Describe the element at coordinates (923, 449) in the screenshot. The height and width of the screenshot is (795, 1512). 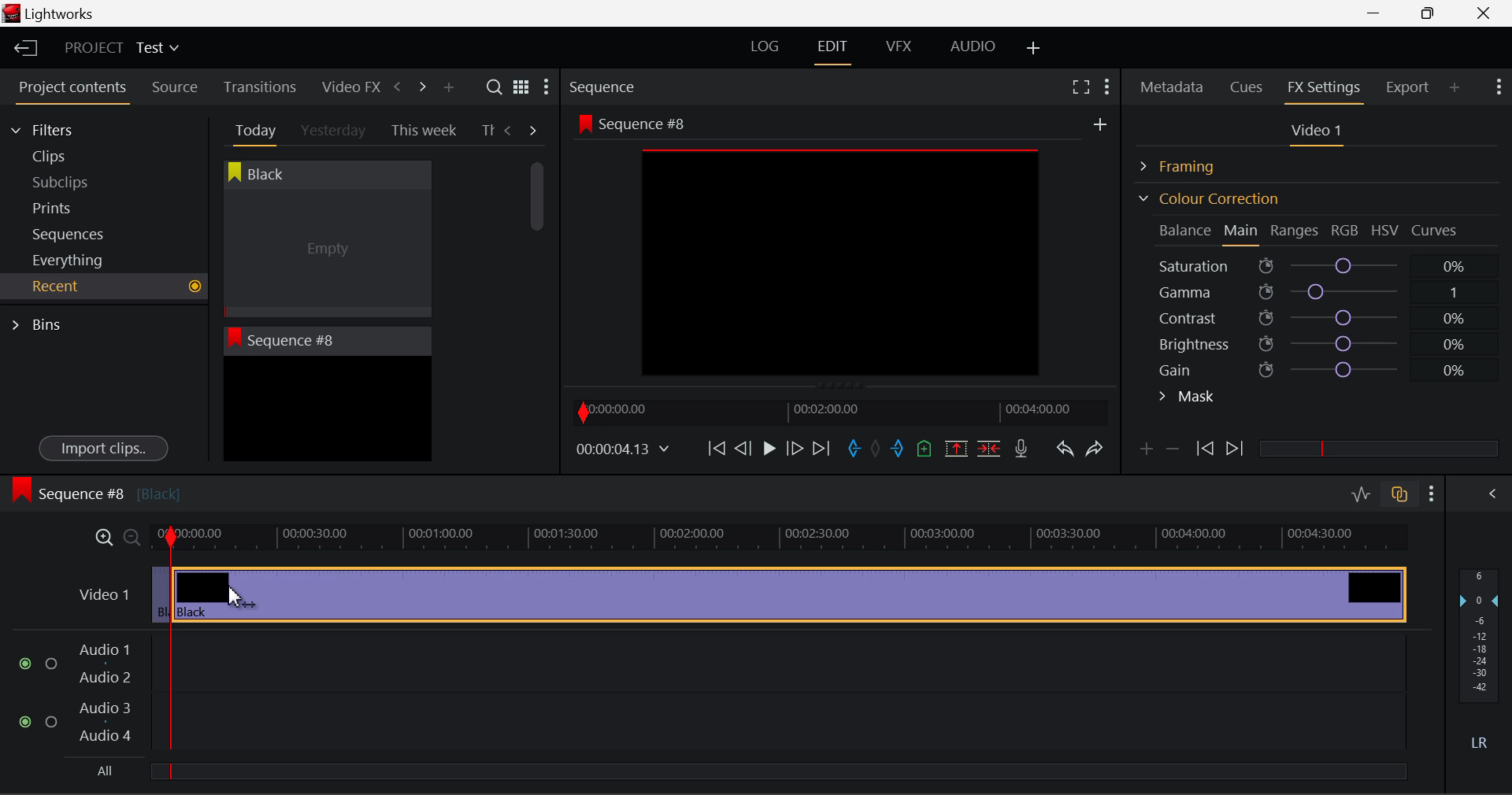
I see `Mark Cue` at that location.